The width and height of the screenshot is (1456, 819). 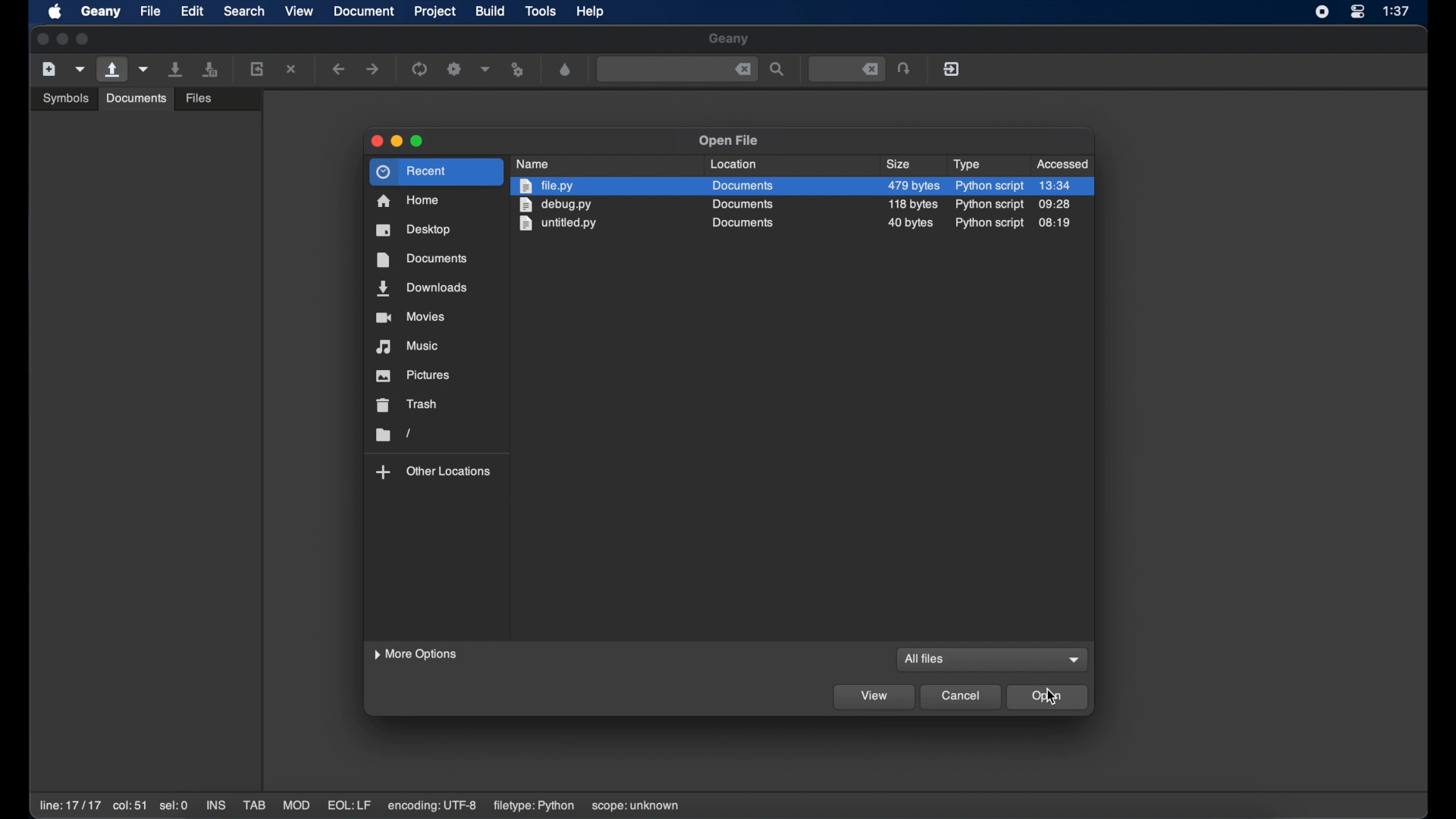 What do you see at coordinates (150, 11) in the screenshot?
I see `file` at bounding box center [150, 11].